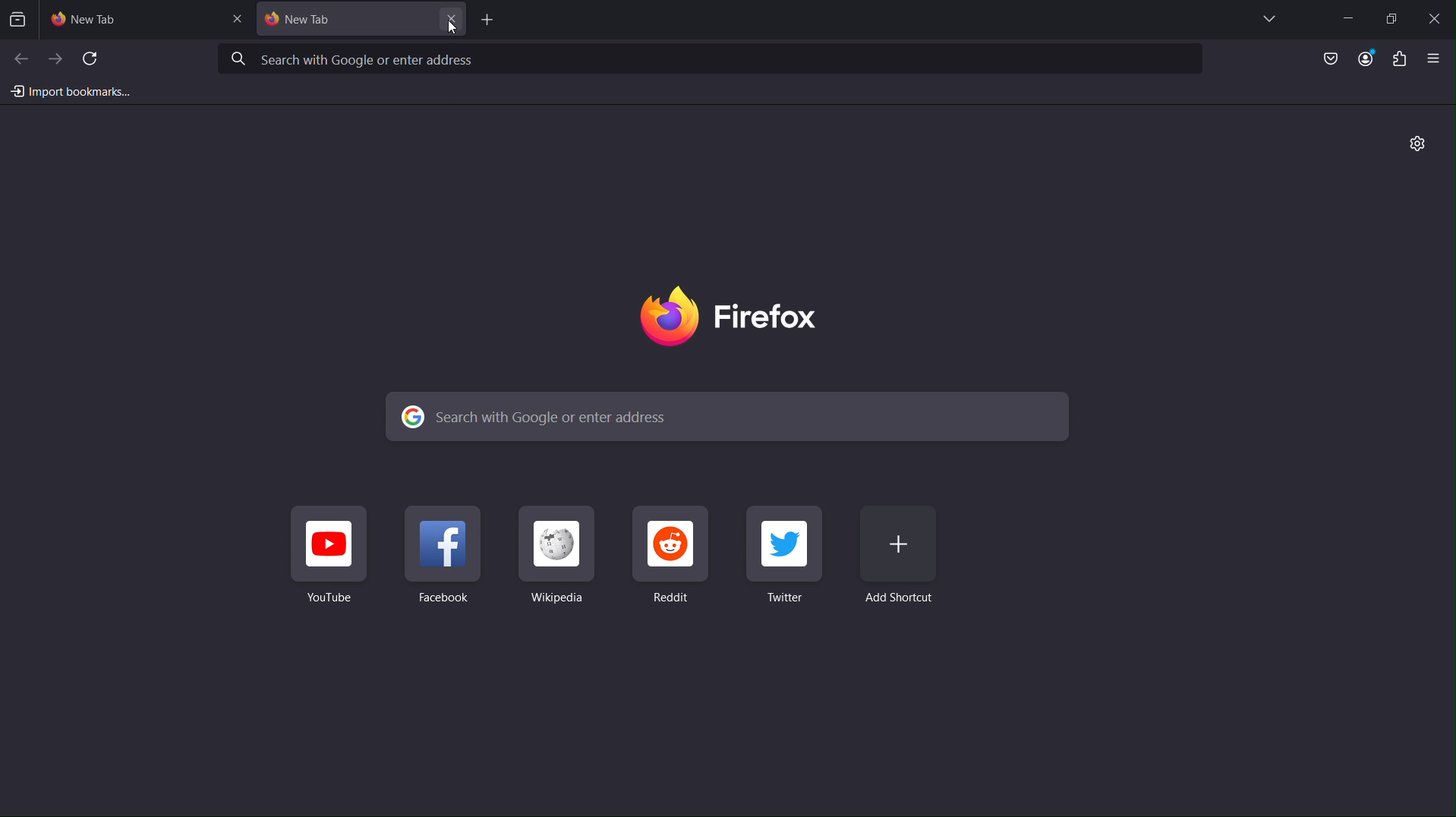 This screenshot has height=817, width=1456. Describe the element at coordinates (1414, 145) in the screenshot. I see `Settings` at that location.